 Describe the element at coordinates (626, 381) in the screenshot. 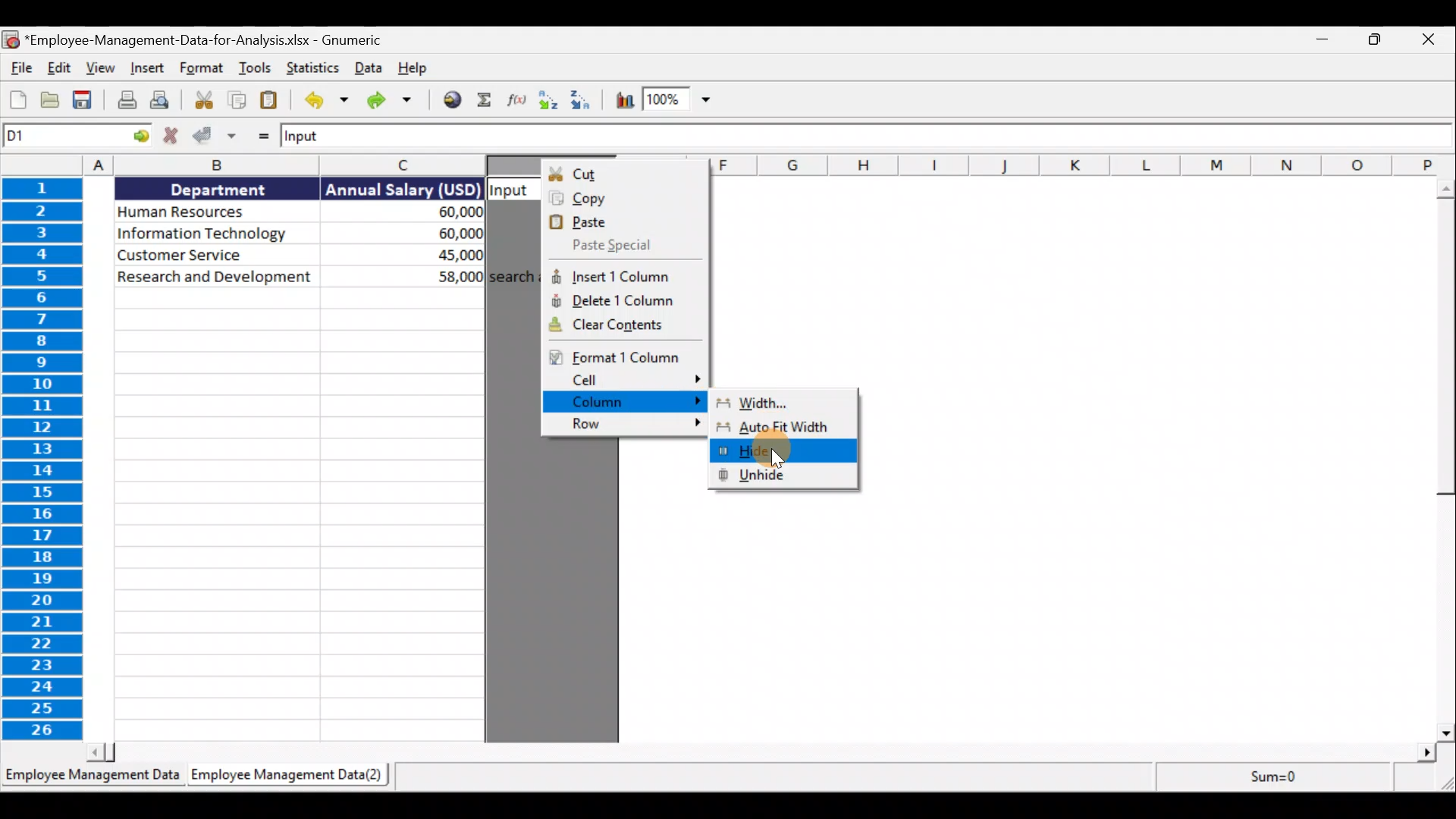

I see `Cell` at that location.